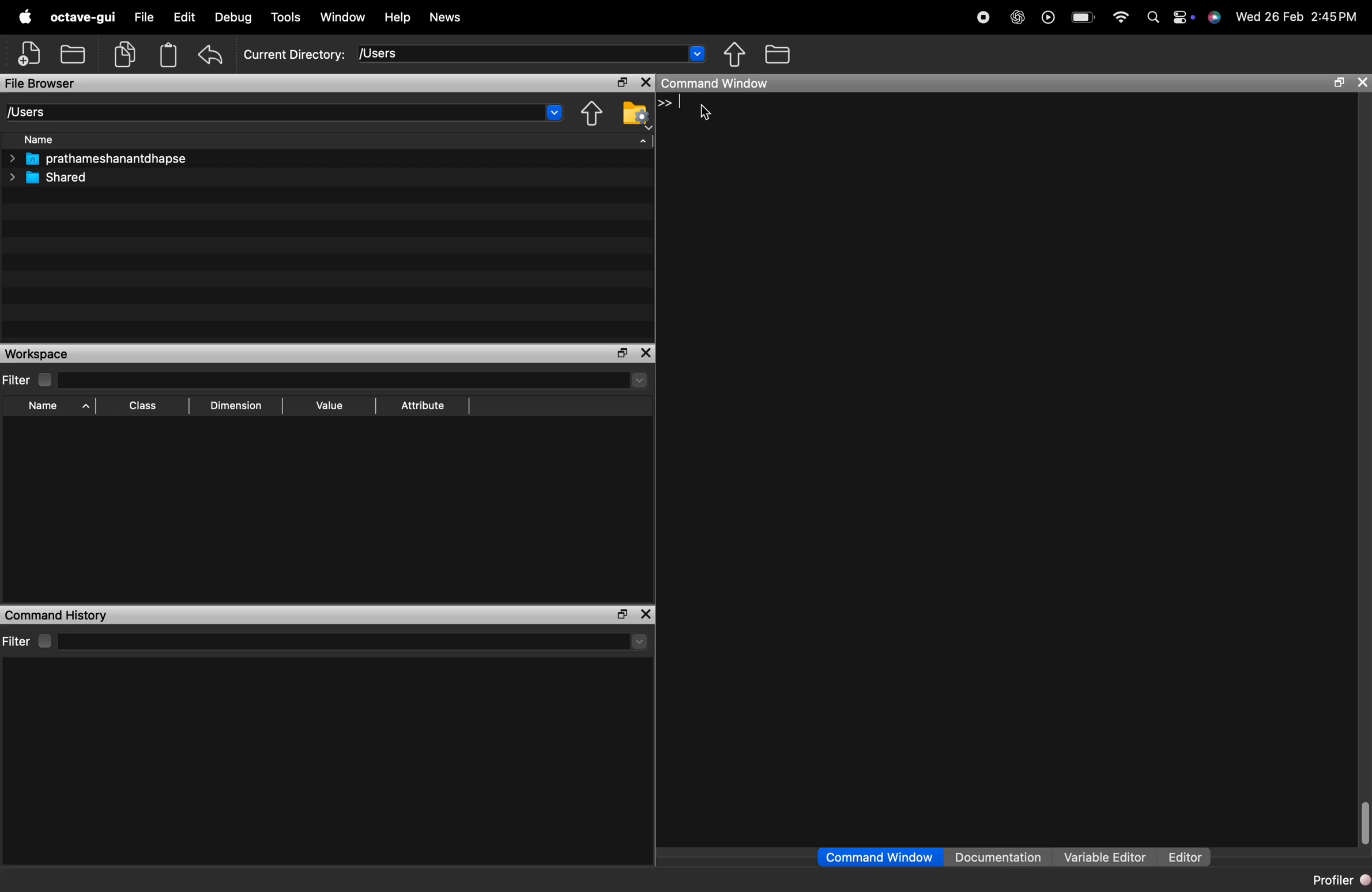  I want to click on Wed 26 Feb 2:45PM, so click(1297, 17).